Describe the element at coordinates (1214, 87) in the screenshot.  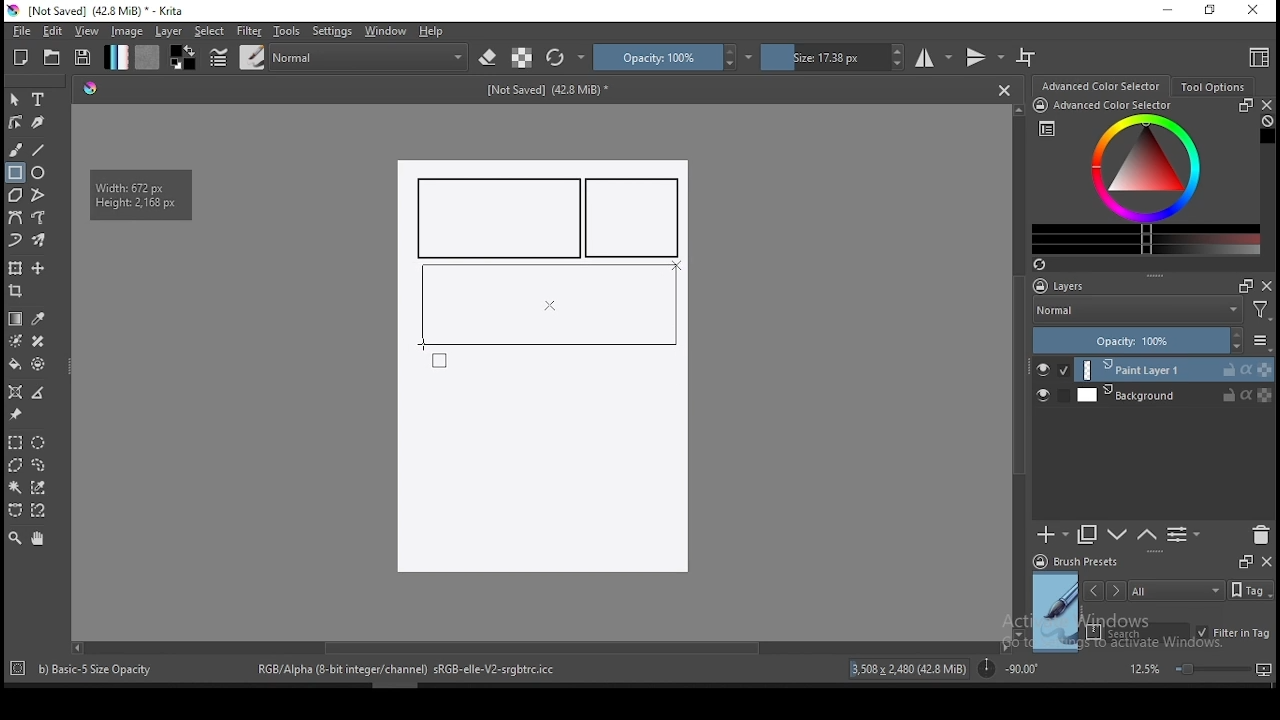
I see `tool options` at that location.